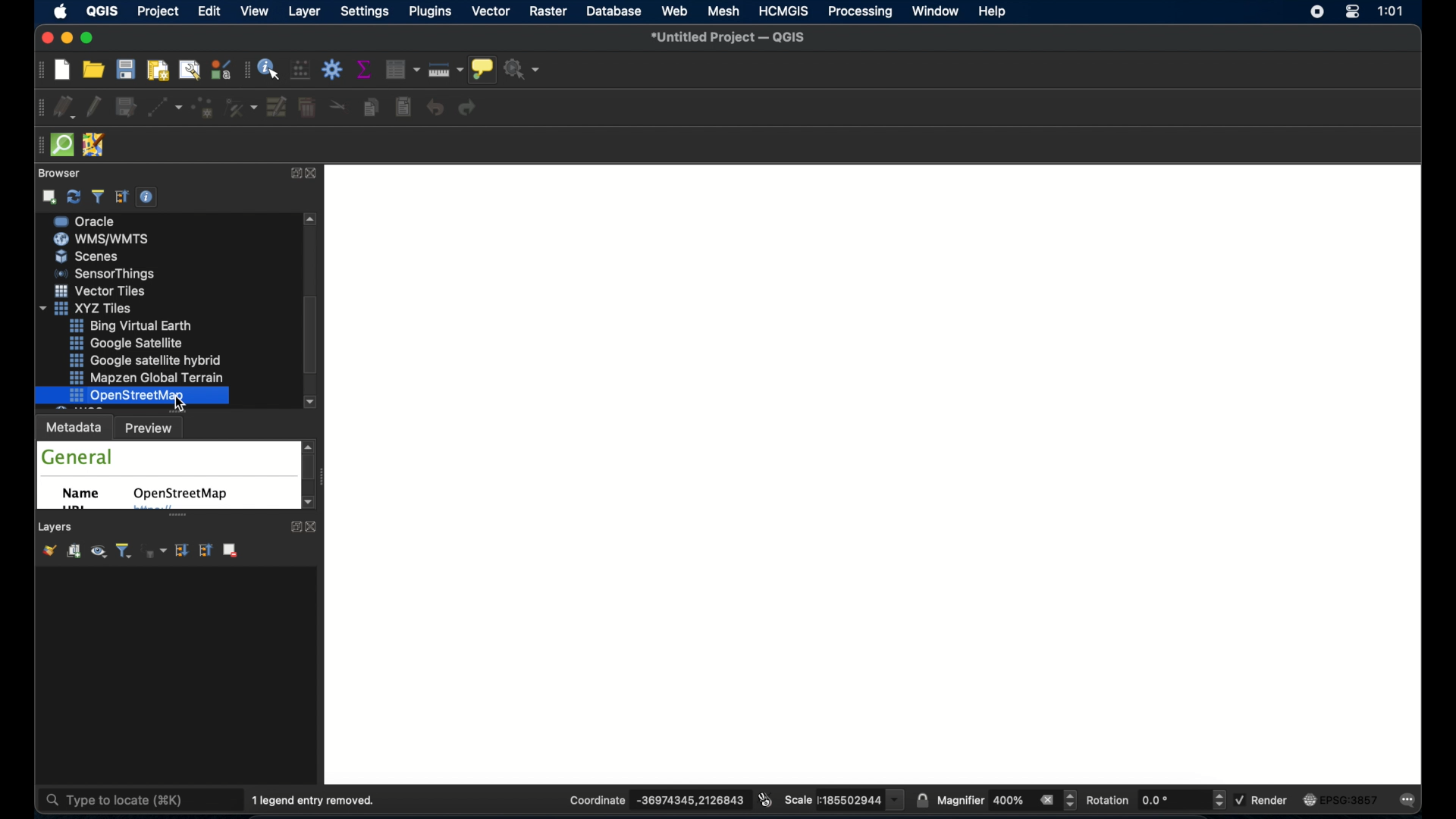 The height and width of the screenshot is (819, 1456). What do you see at coordinates (61, 71) in the screenshot?
I see `new project` at bounding box center [61, 71].